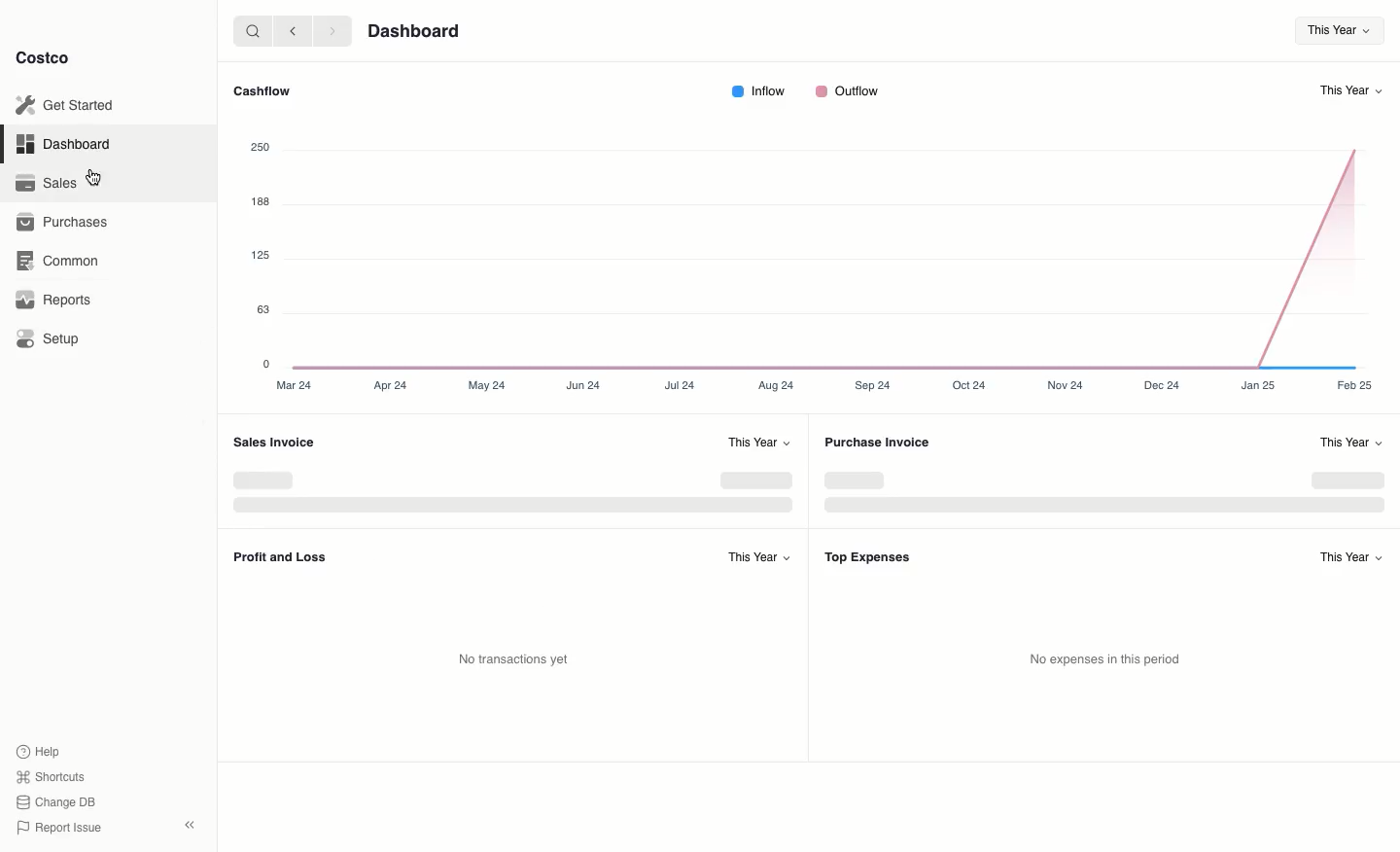  Describe the element at coordinates (761, 442) in the screenshot. I see `This Year` at that location.